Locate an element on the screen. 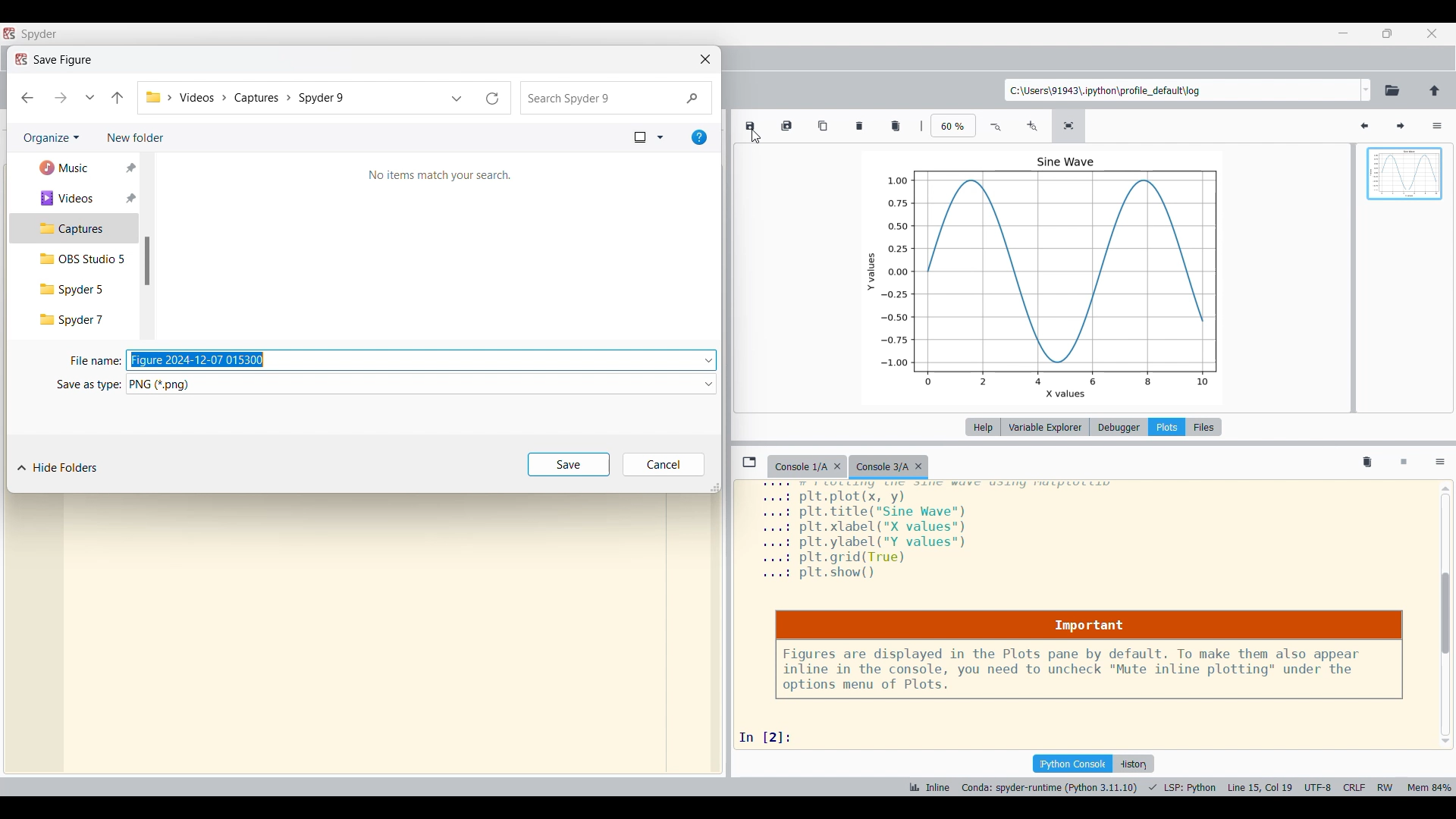 The width and height of the screenshot is (1456, 819). Name options is located at coordinates (708, 360).